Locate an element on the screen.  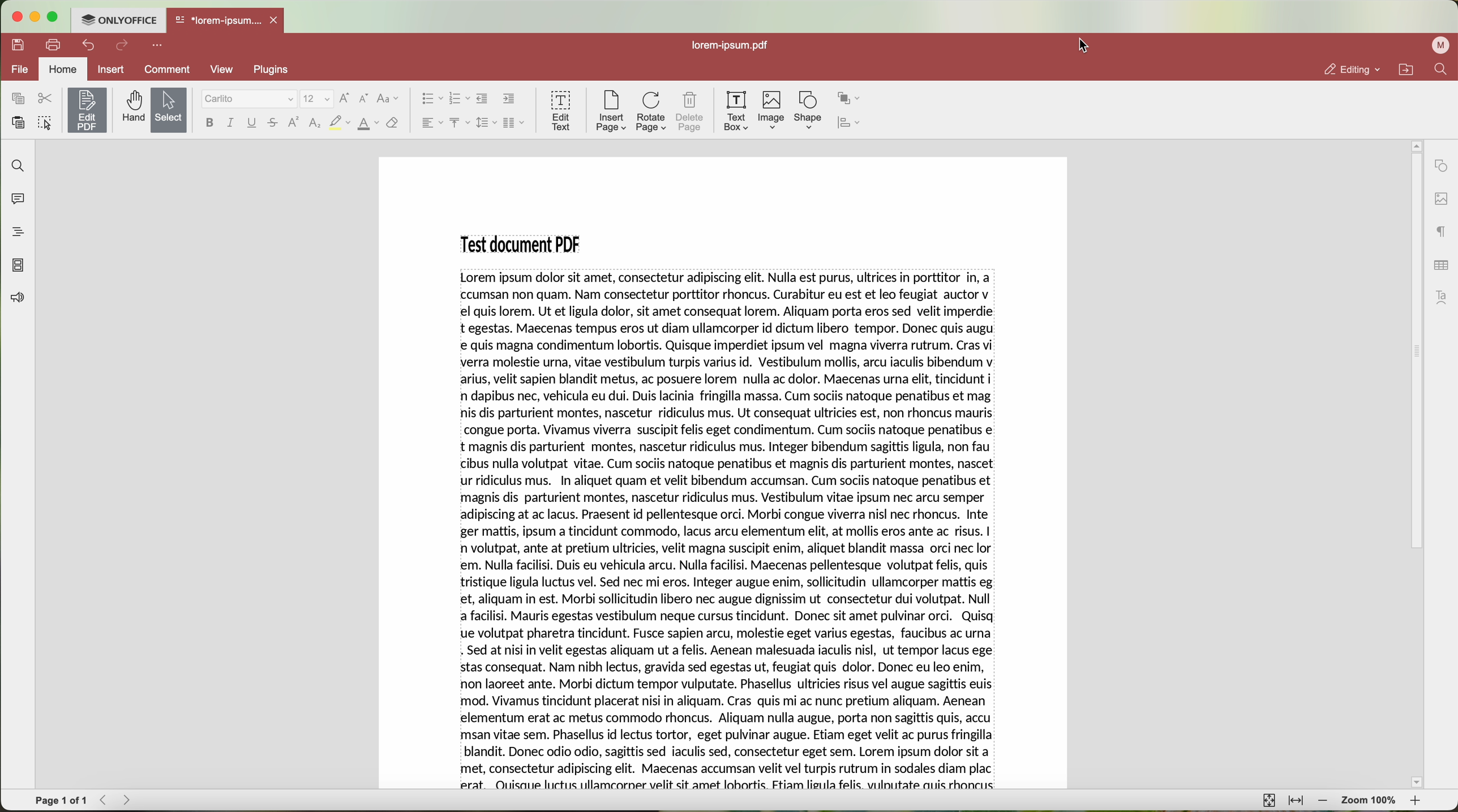
line spacing is located at coordinates (488, 122).